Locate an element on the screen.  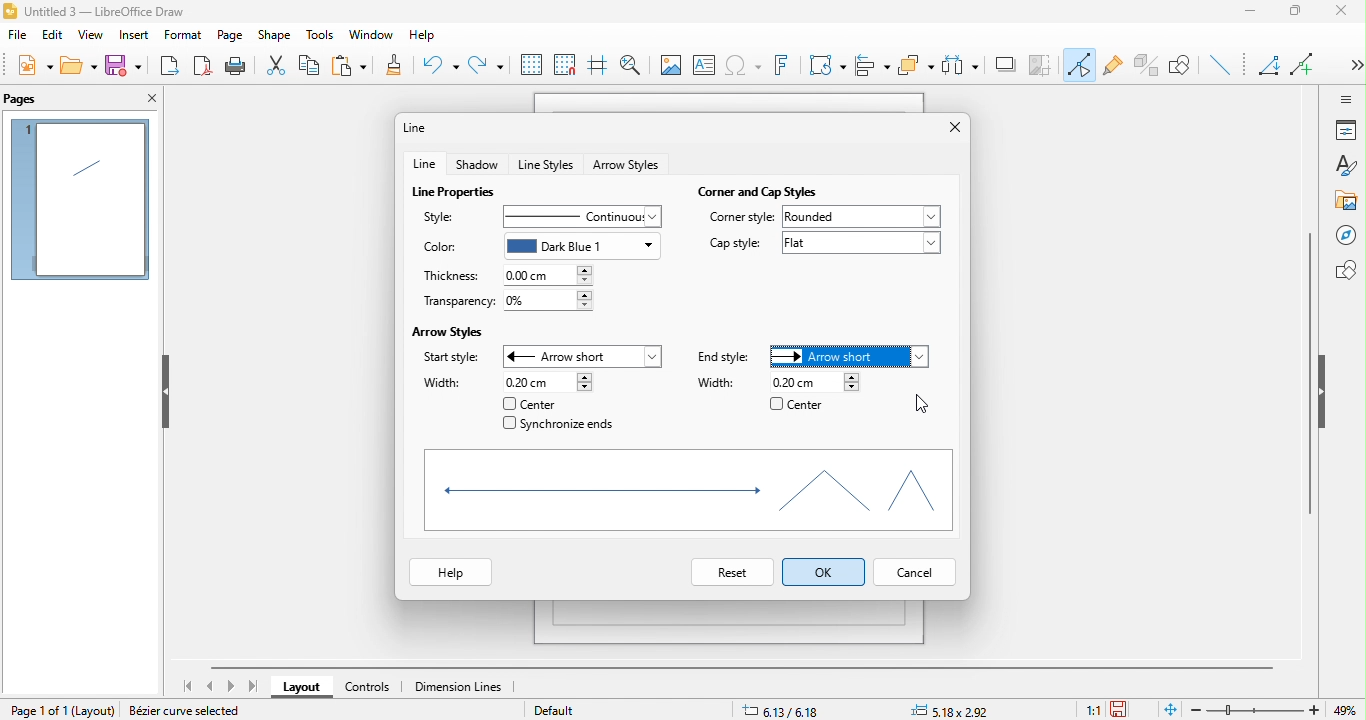
line is located at coordinates (425, 164).